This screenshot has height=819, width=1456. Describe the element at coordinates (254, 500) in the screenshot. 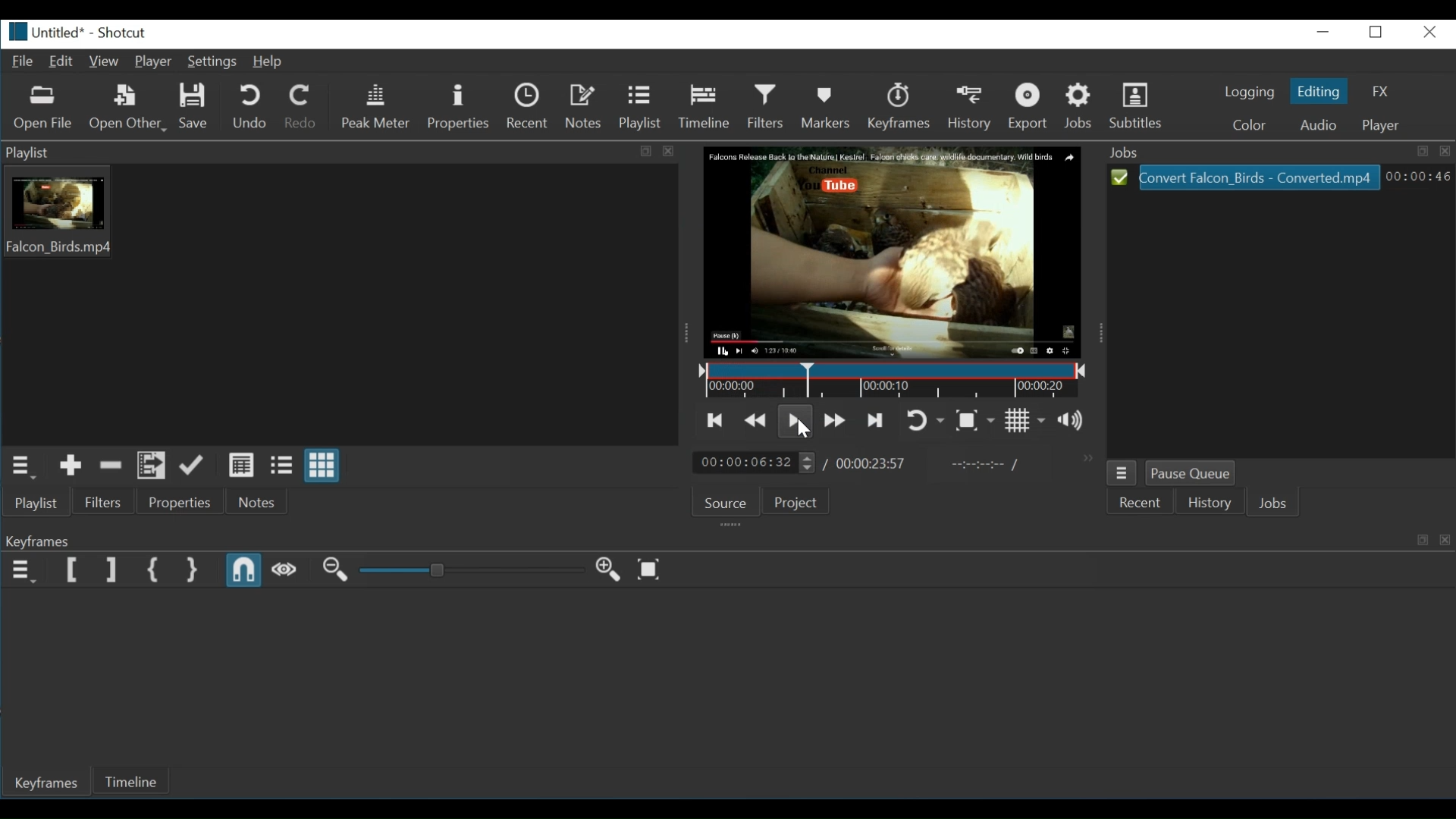

I see `Notes` at that location.